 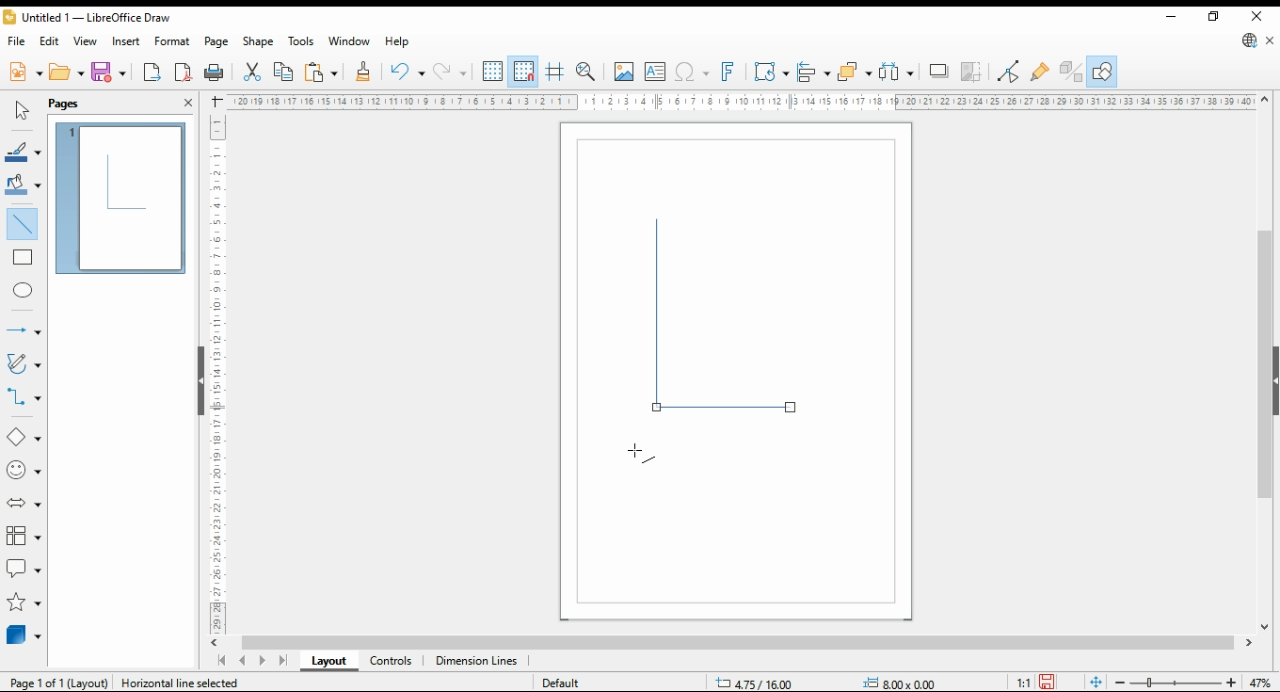 What do you see at coordinates (25, 635) in the screenshot?
I see `3D objects` at bounding box center [25, 635].